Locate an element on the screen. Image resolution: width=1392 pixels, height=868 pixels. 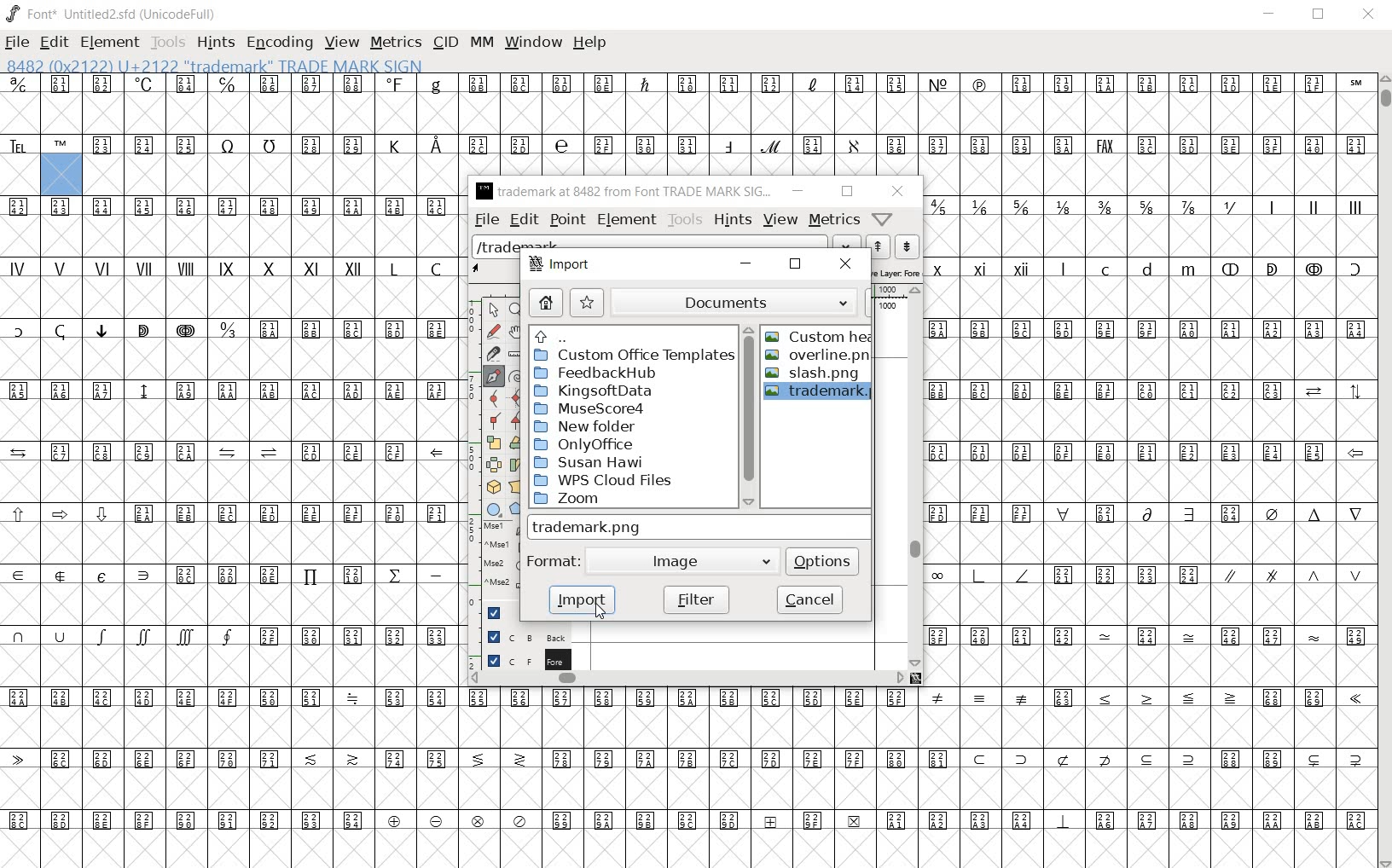
FILE is located at coordinates (17, 43).